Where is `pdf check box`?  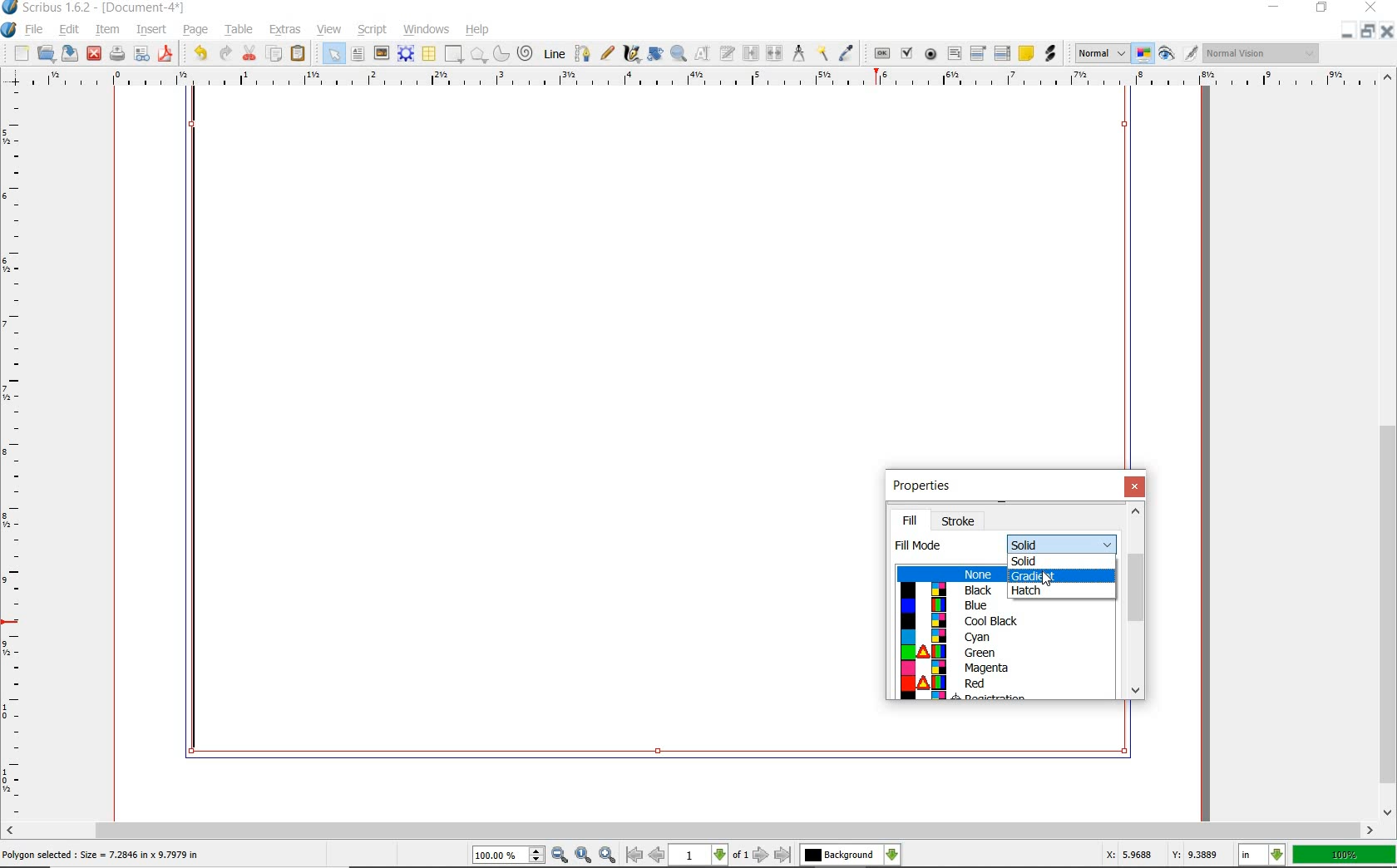 pdf check box is located at coordinates (906, 52).